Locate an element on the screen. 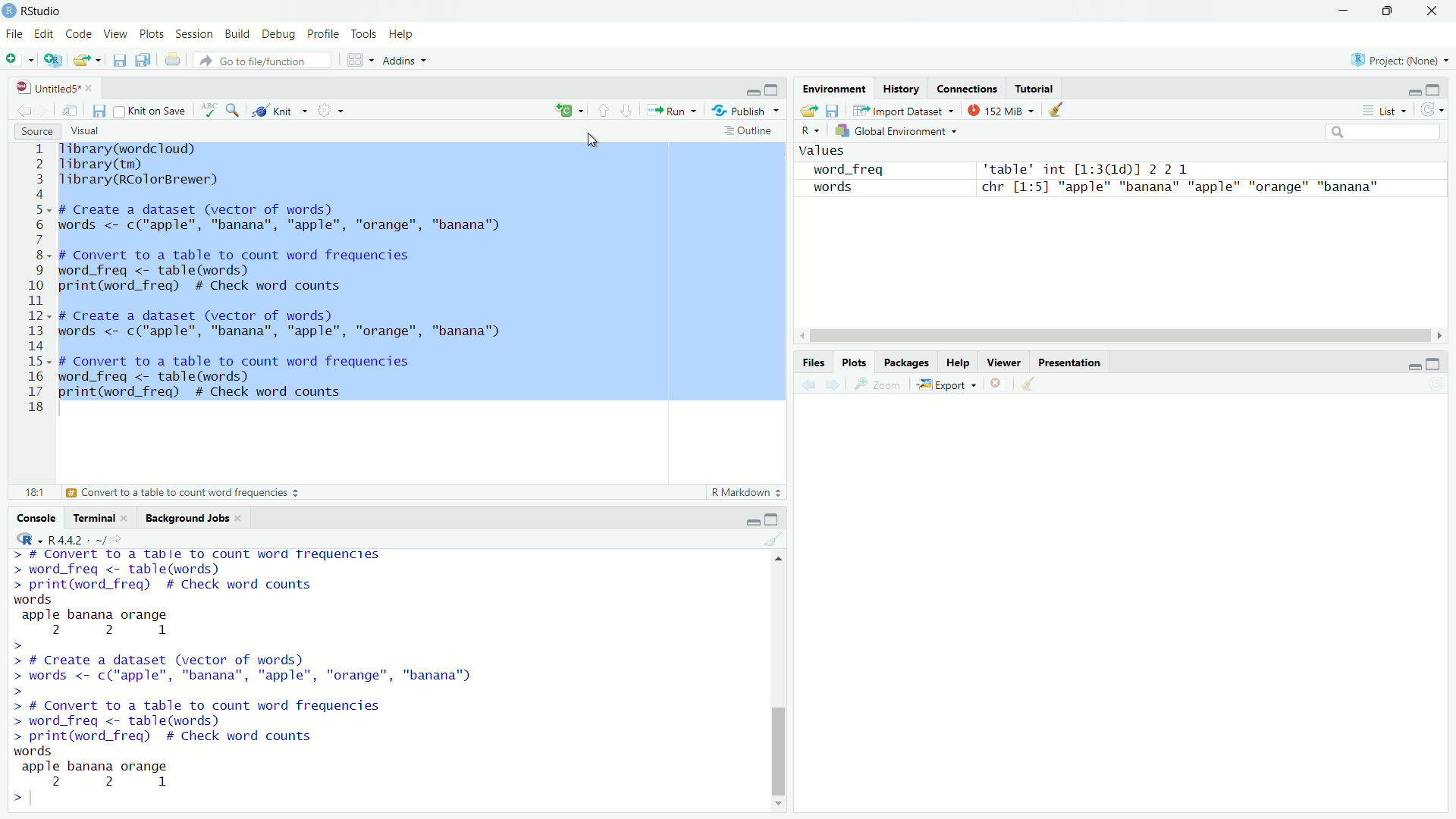 The width and height of the screenshot is (1456, 819). Minimize is located at coordinates (1414, 95).